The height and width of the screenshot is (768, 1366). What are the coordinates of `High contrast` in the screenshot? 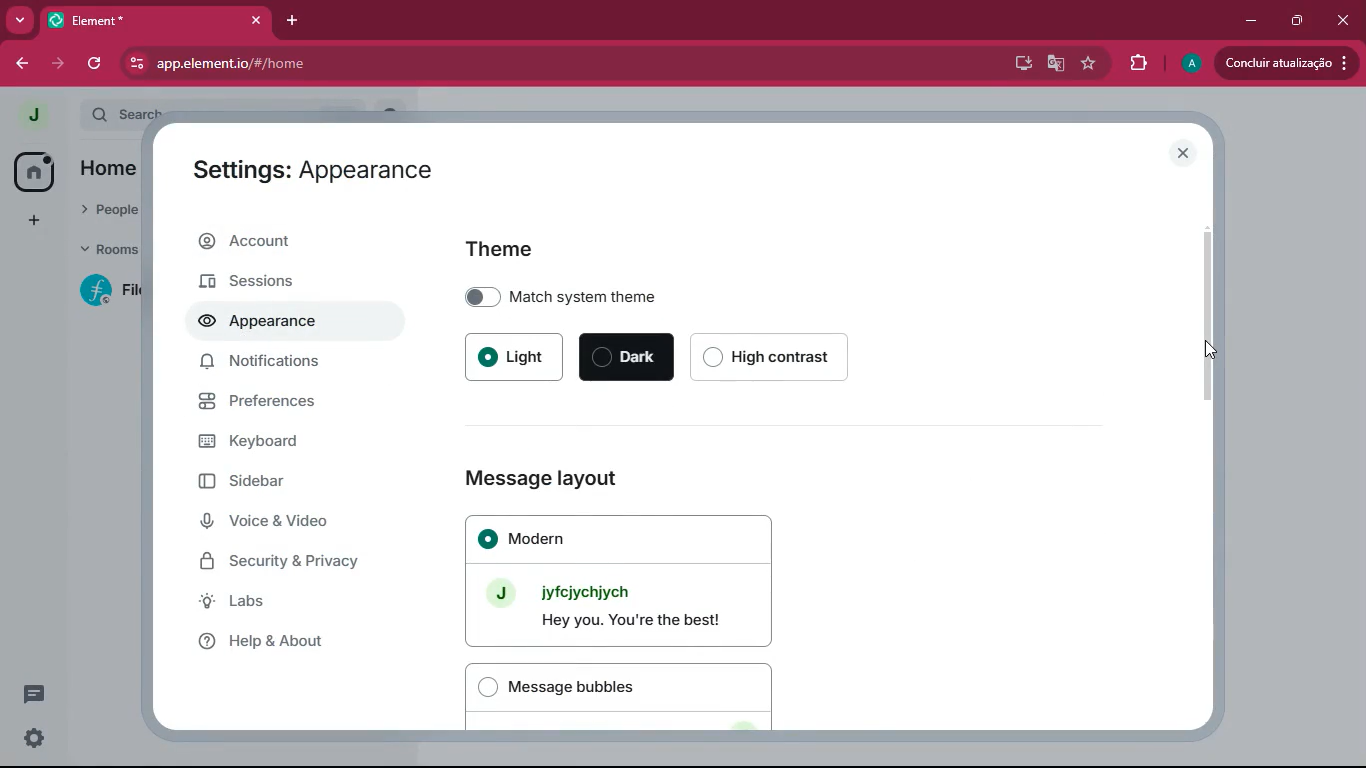 It's located at (773, 358).